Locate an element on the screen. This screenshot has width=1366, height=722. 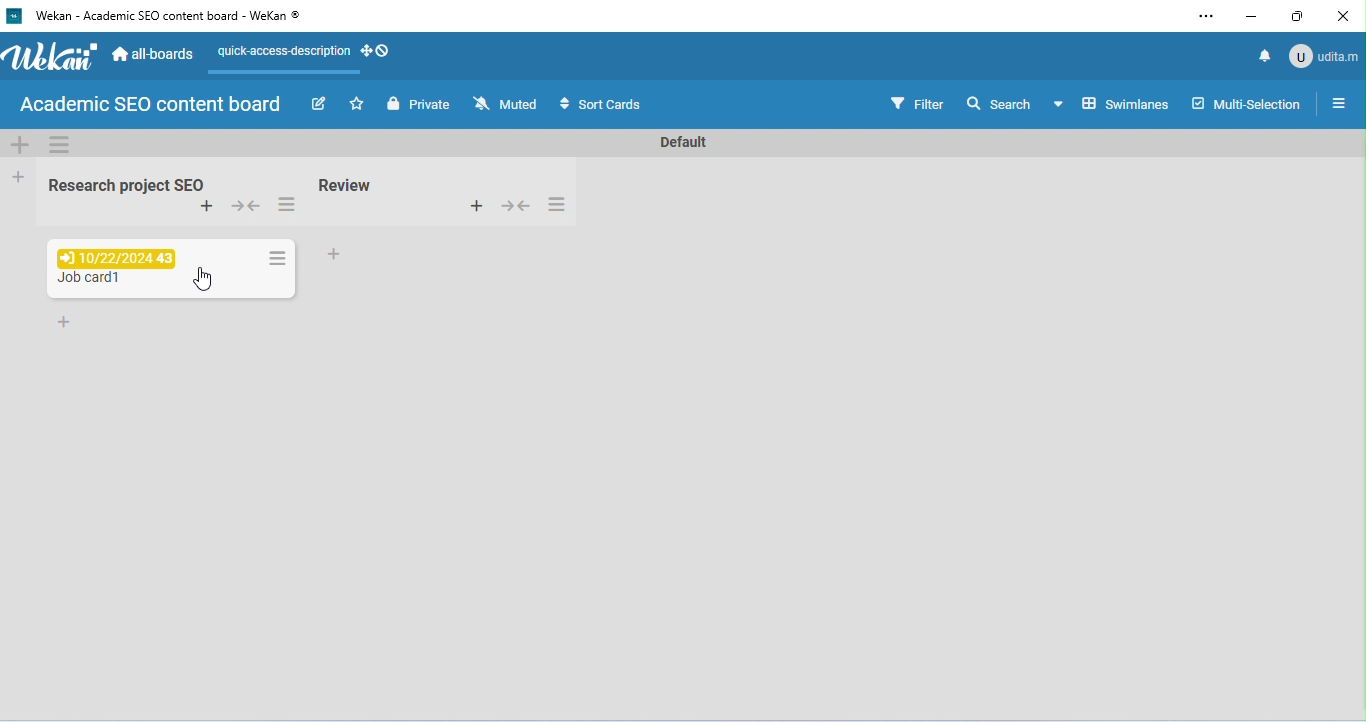
 is located at coordinates (514, 204).